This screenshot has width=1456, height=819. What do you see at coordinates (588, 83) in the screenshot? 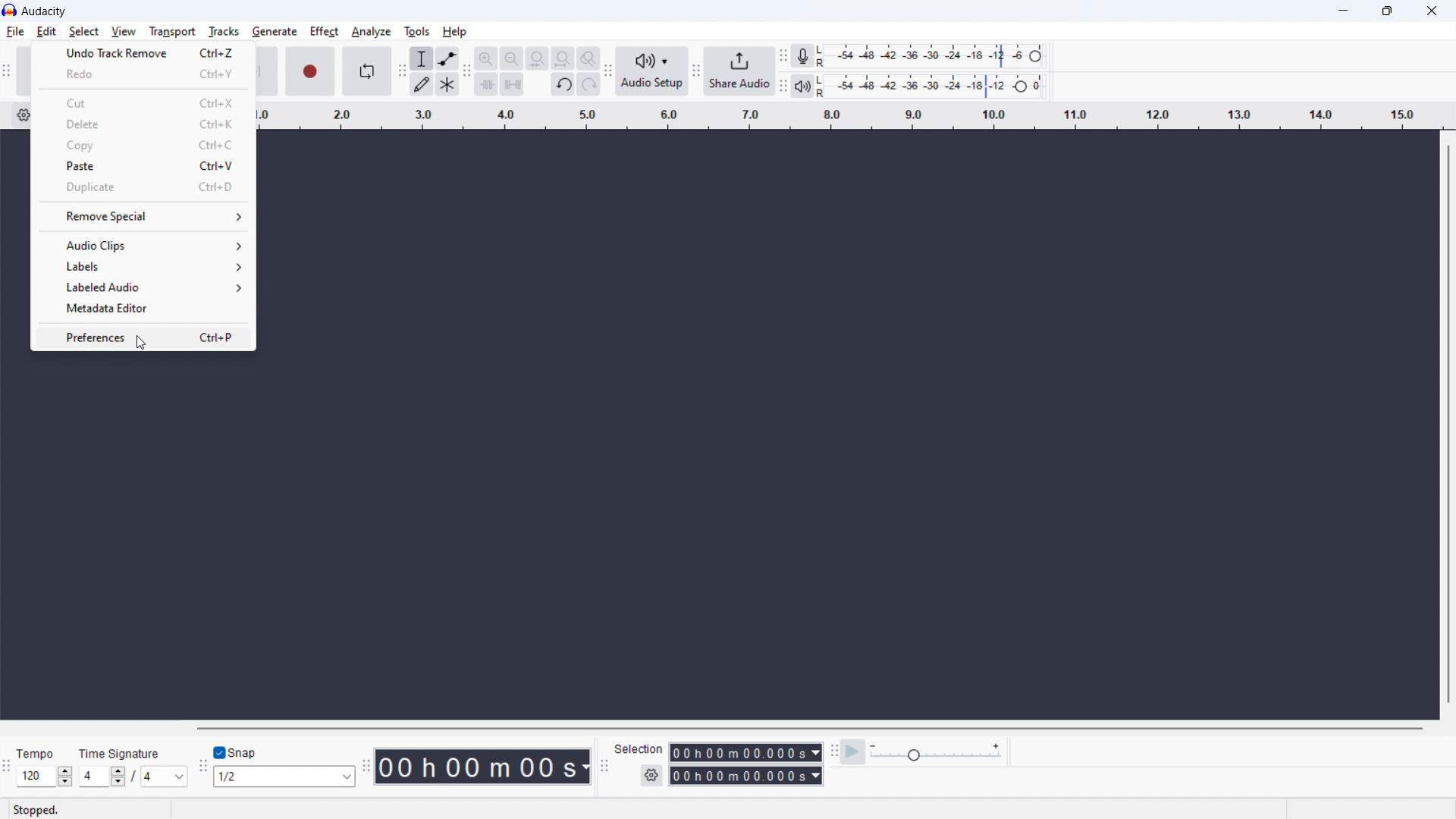
I see `redo` at bounding box center [588, 83].